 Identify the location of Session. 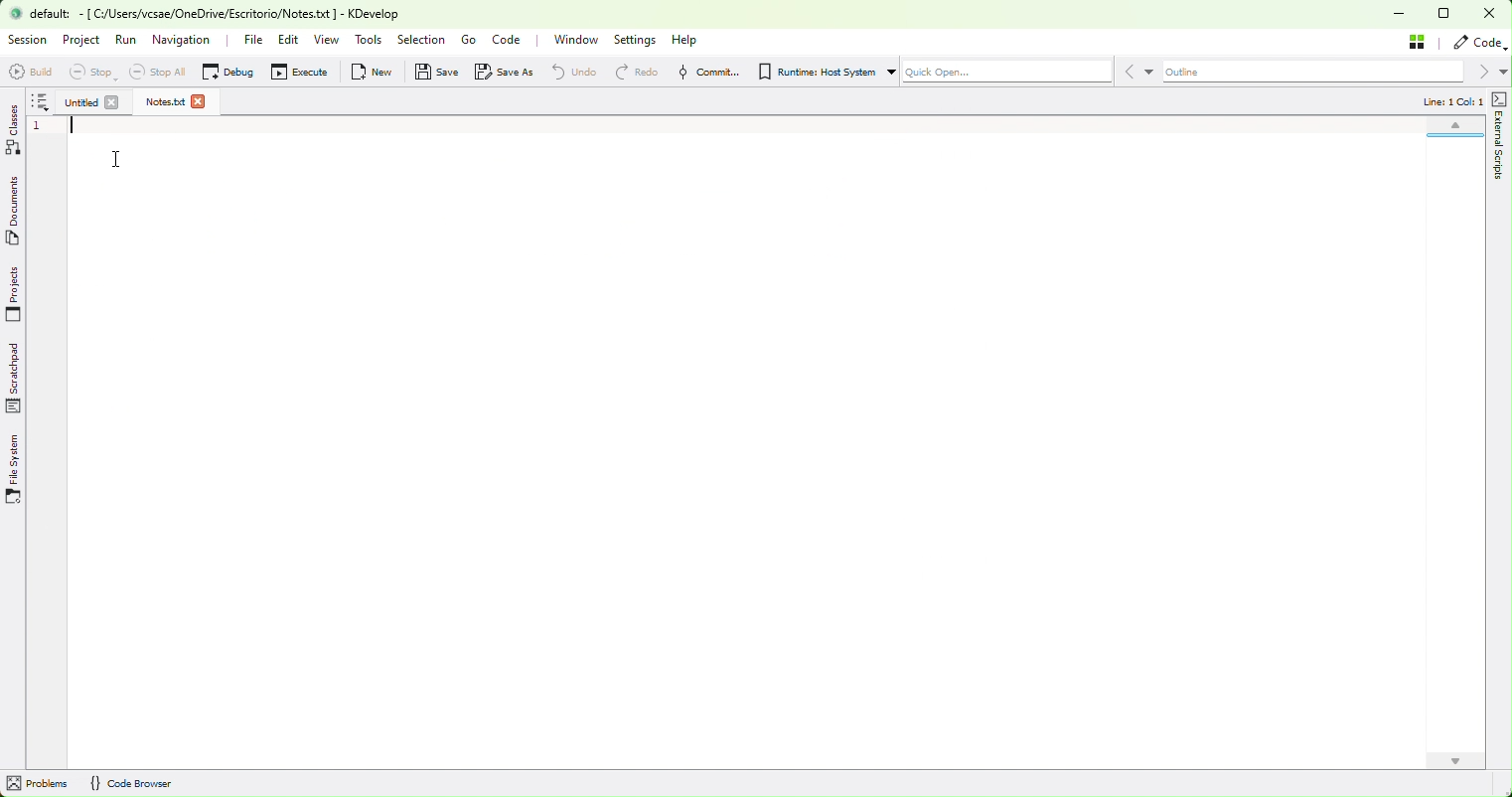
(29, 42).